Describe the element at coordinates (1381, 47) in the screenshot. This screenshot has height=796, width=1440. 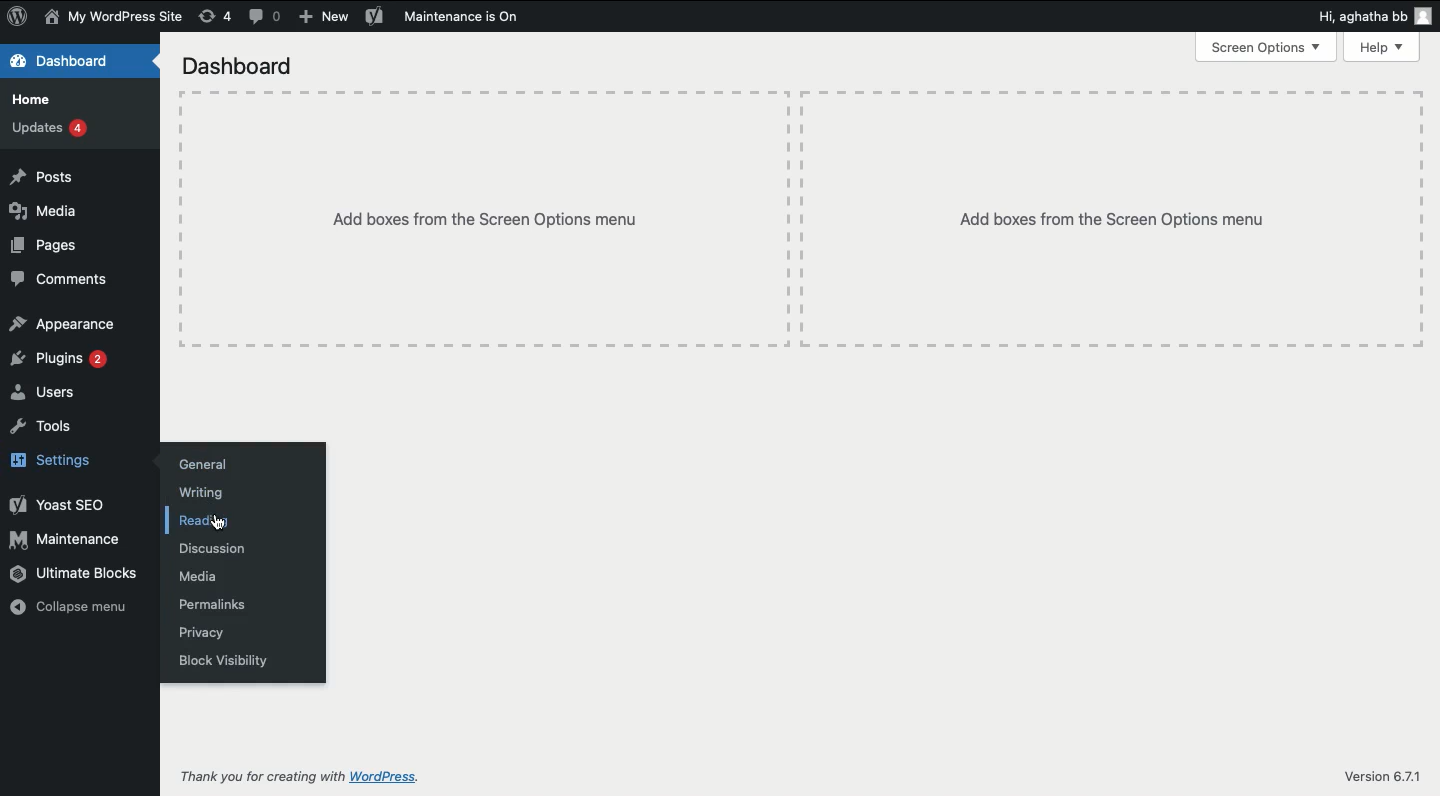
I see `Help` at that location.